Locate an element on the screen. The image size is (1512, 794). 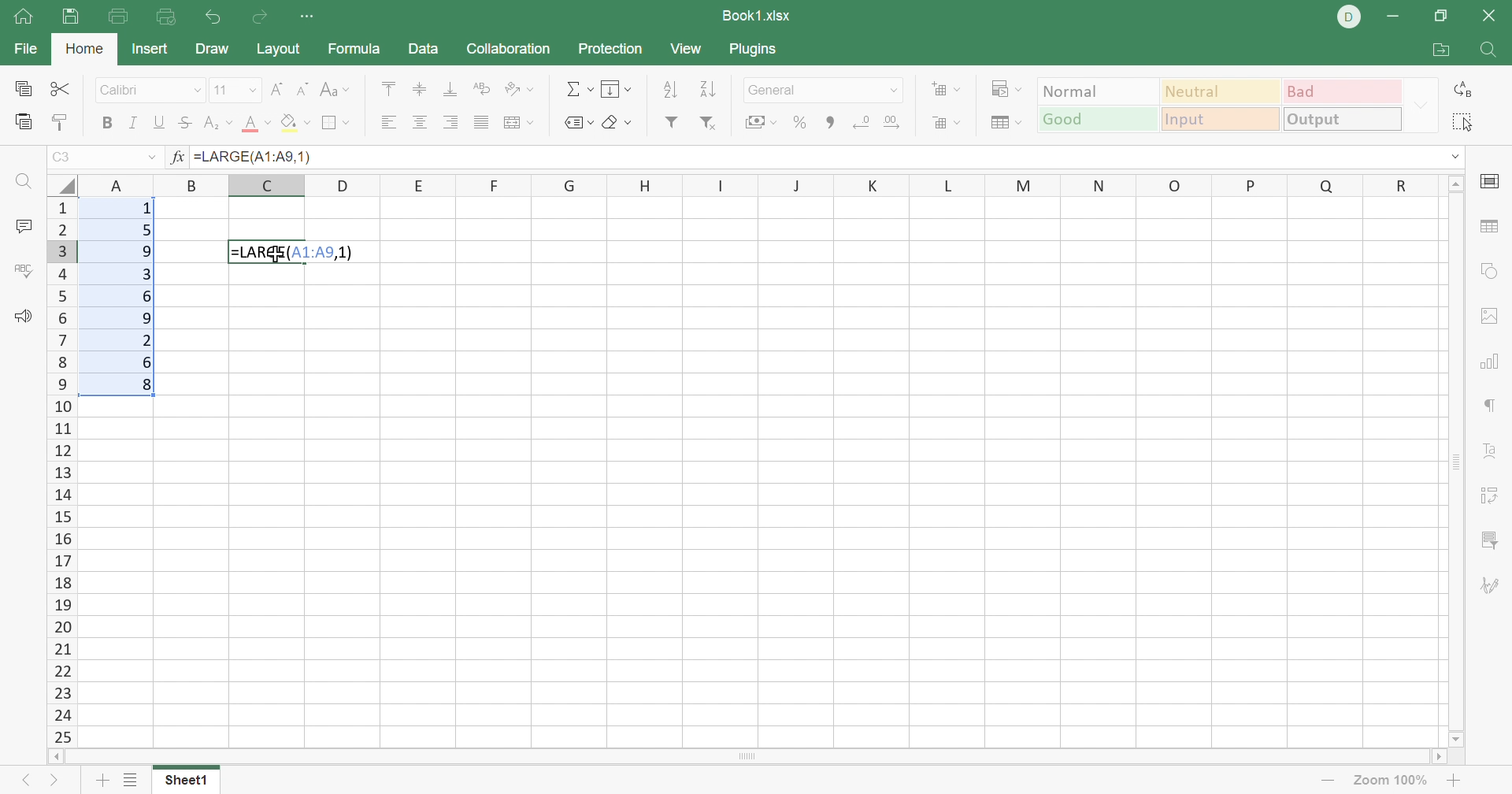
Feedback & Support is located at coordinates (23, 317).